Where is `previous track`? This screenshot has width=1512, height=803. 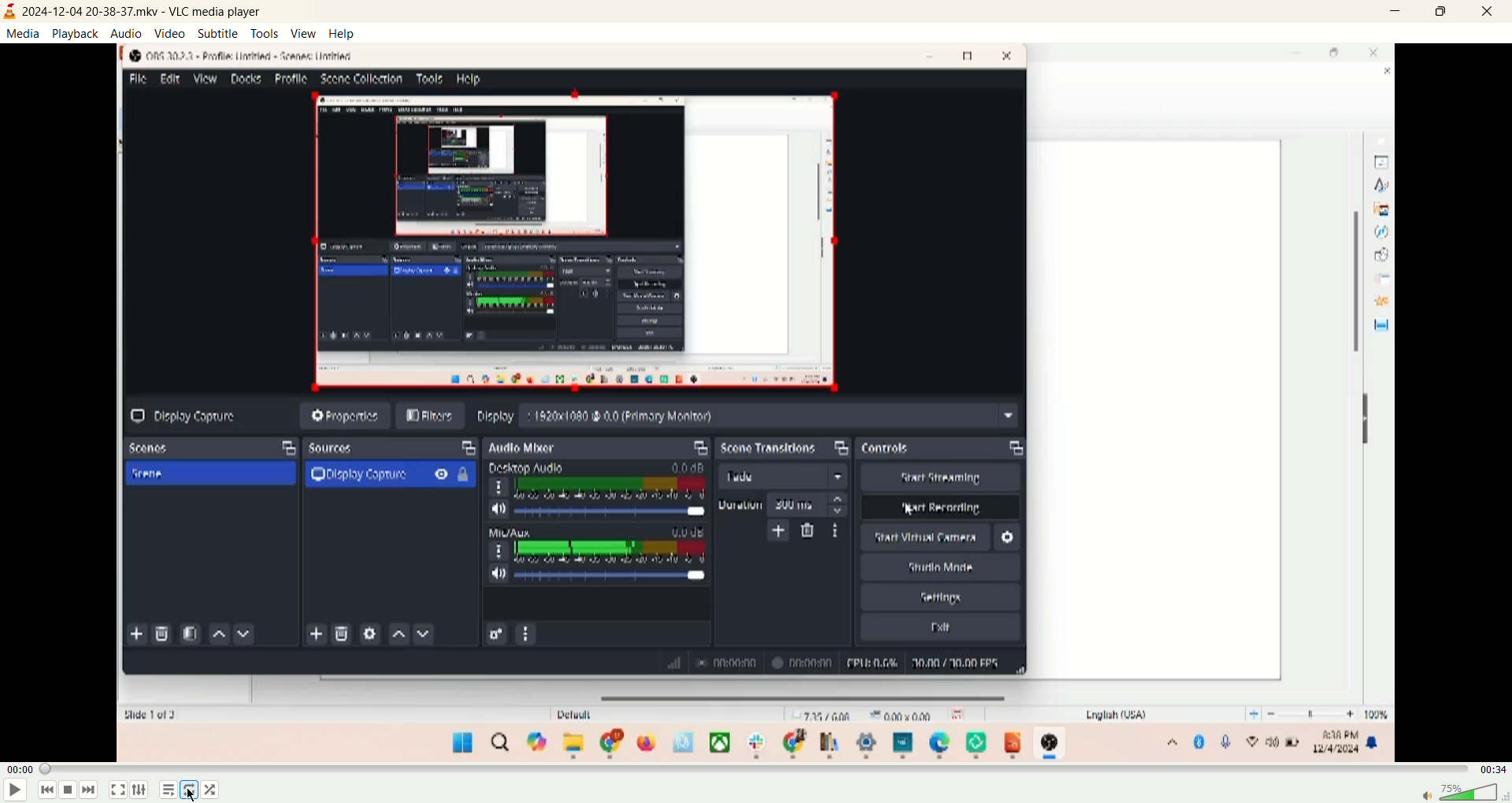 previous track is located at coordinates (47, 791).